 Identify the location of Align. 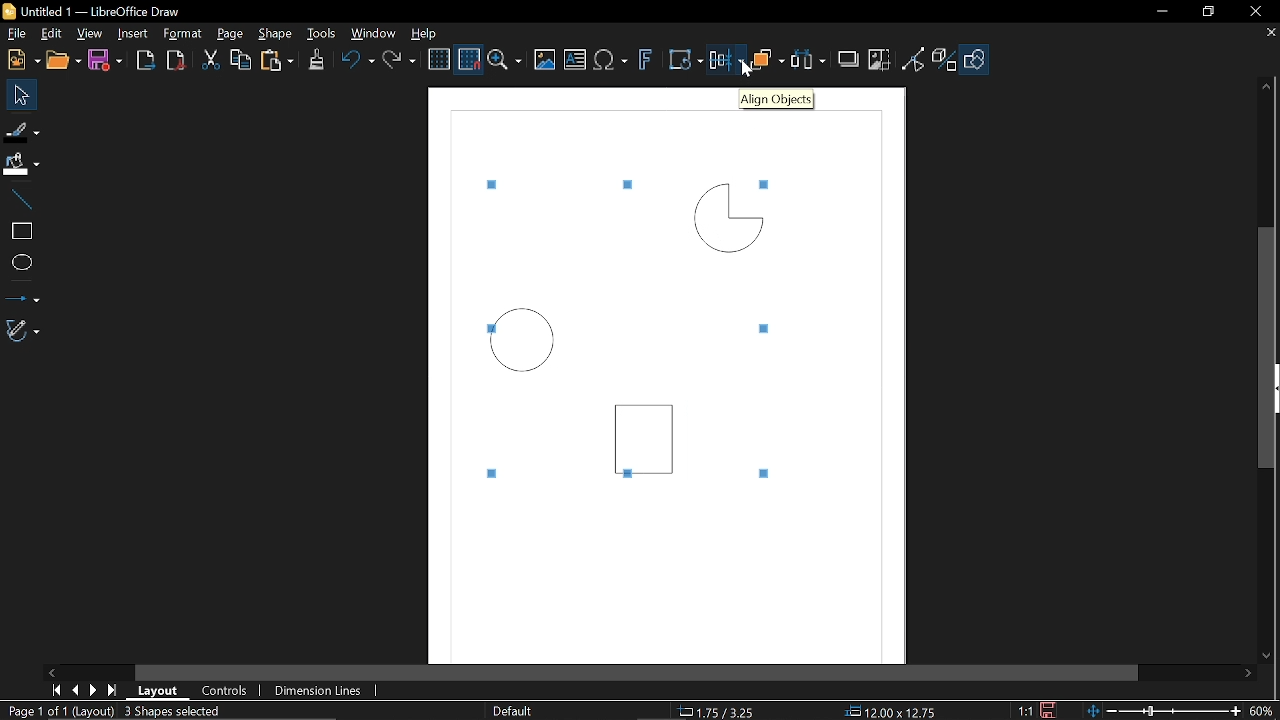
(726, 63).